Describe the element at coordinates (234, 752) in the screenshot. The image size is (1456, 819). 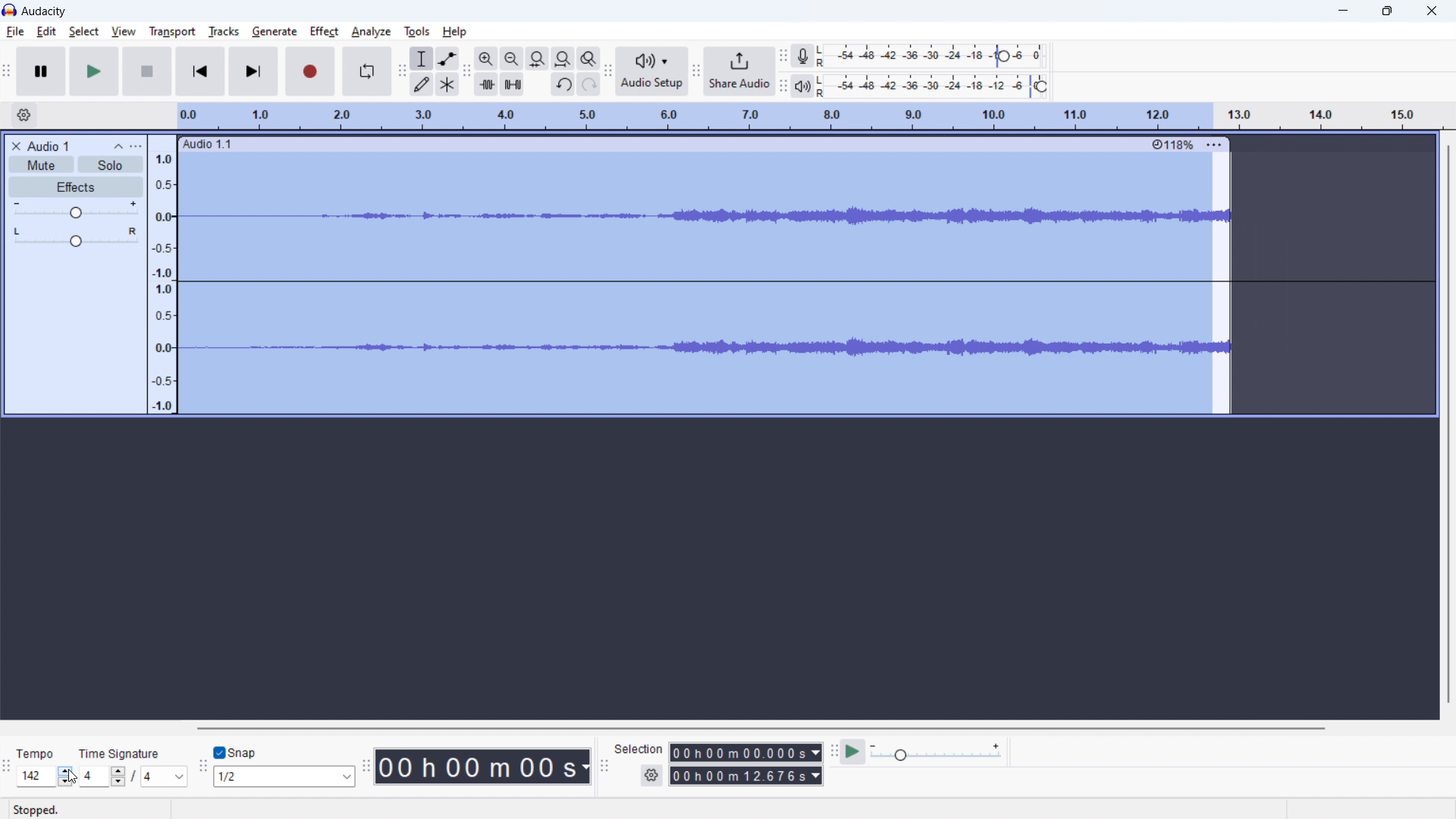
I see `toggle snap` at that location.